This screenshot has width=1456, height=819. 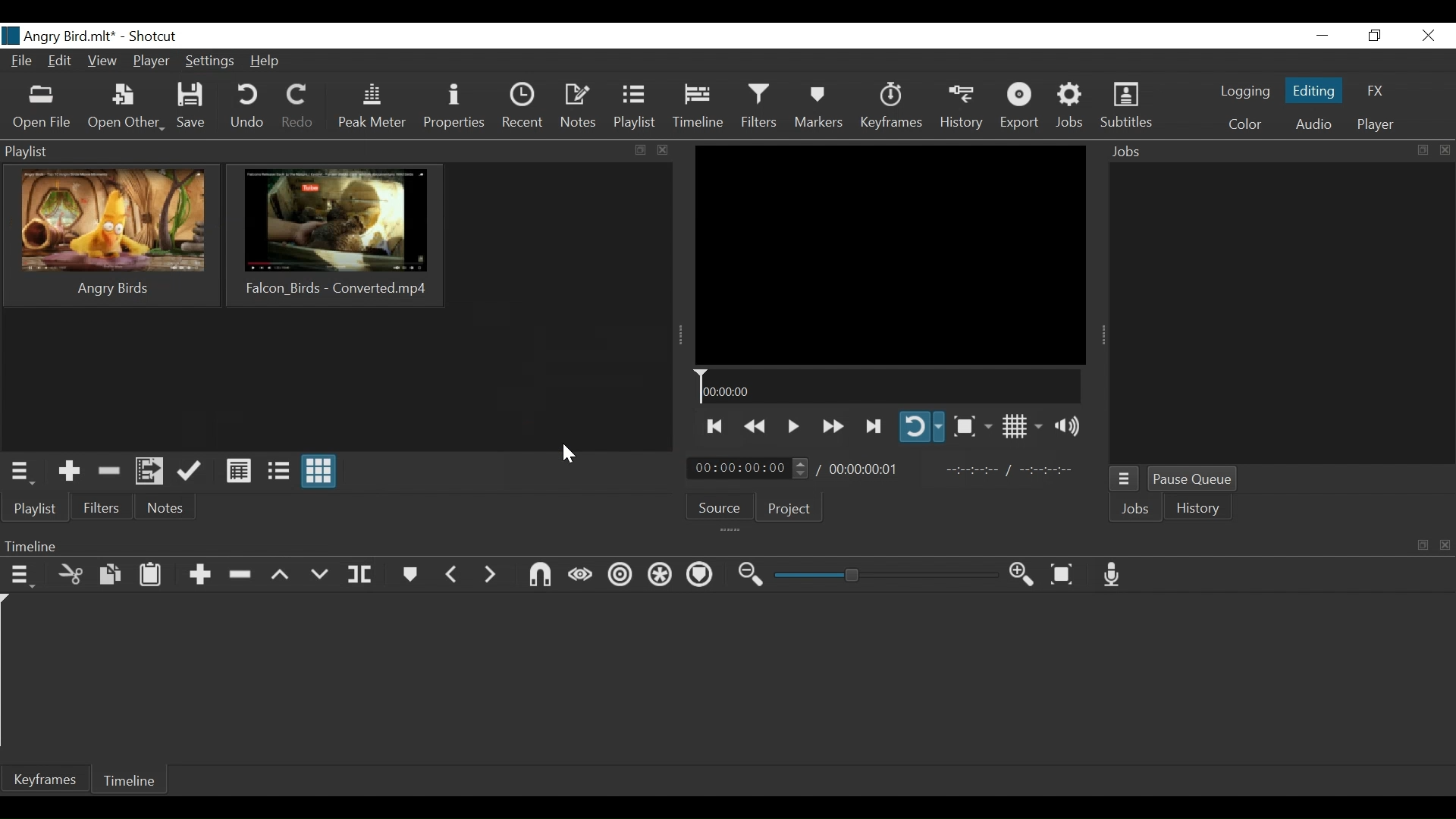 What do you see at coordinates (1012, 472) in the screenshot?
I see `In point` at bounding box center [1012, 472].